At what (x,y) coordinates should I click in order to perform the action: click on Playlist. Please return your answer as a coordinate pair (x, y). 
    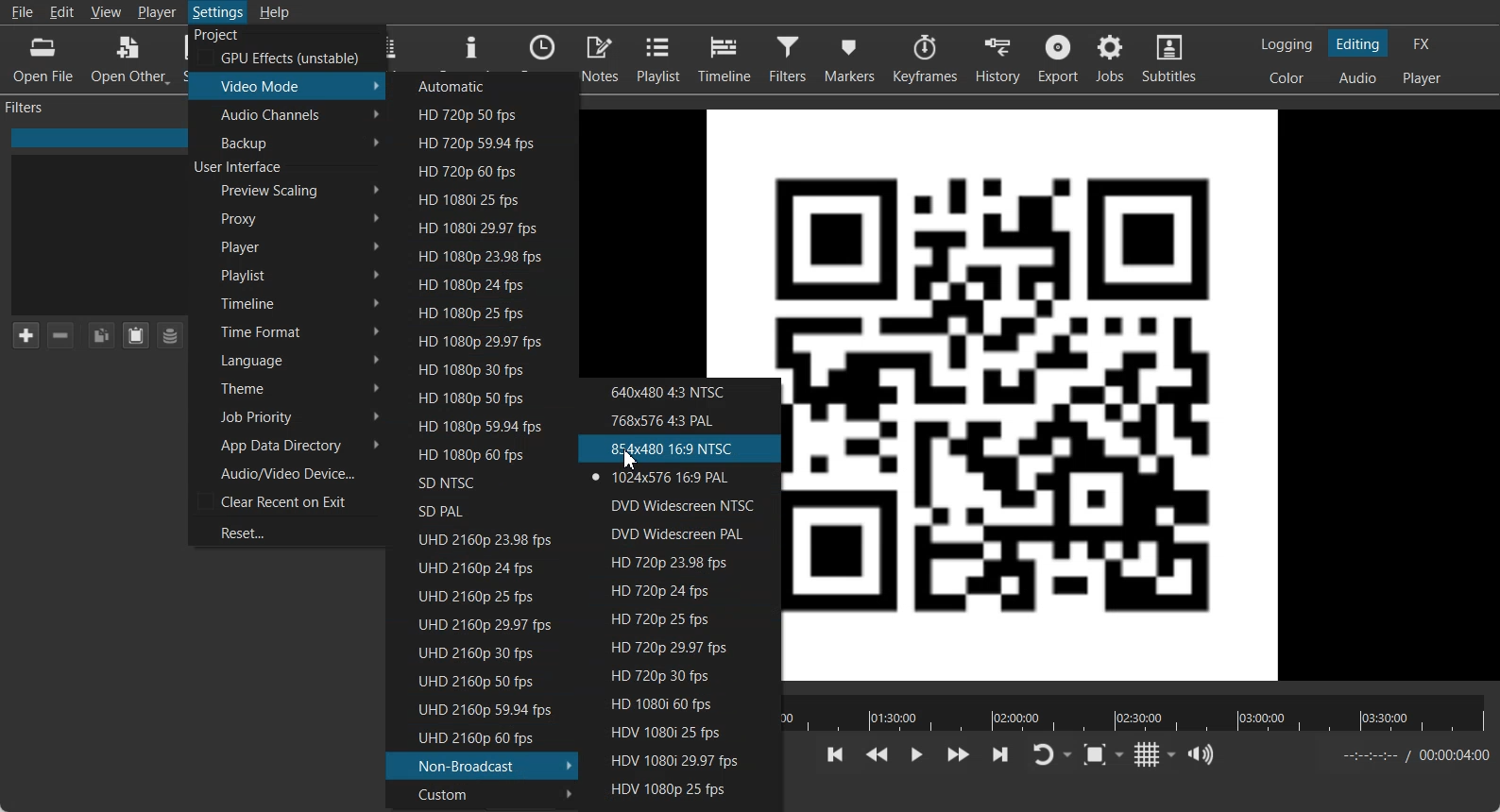
    Looking at the image, I should click on (659, 58).